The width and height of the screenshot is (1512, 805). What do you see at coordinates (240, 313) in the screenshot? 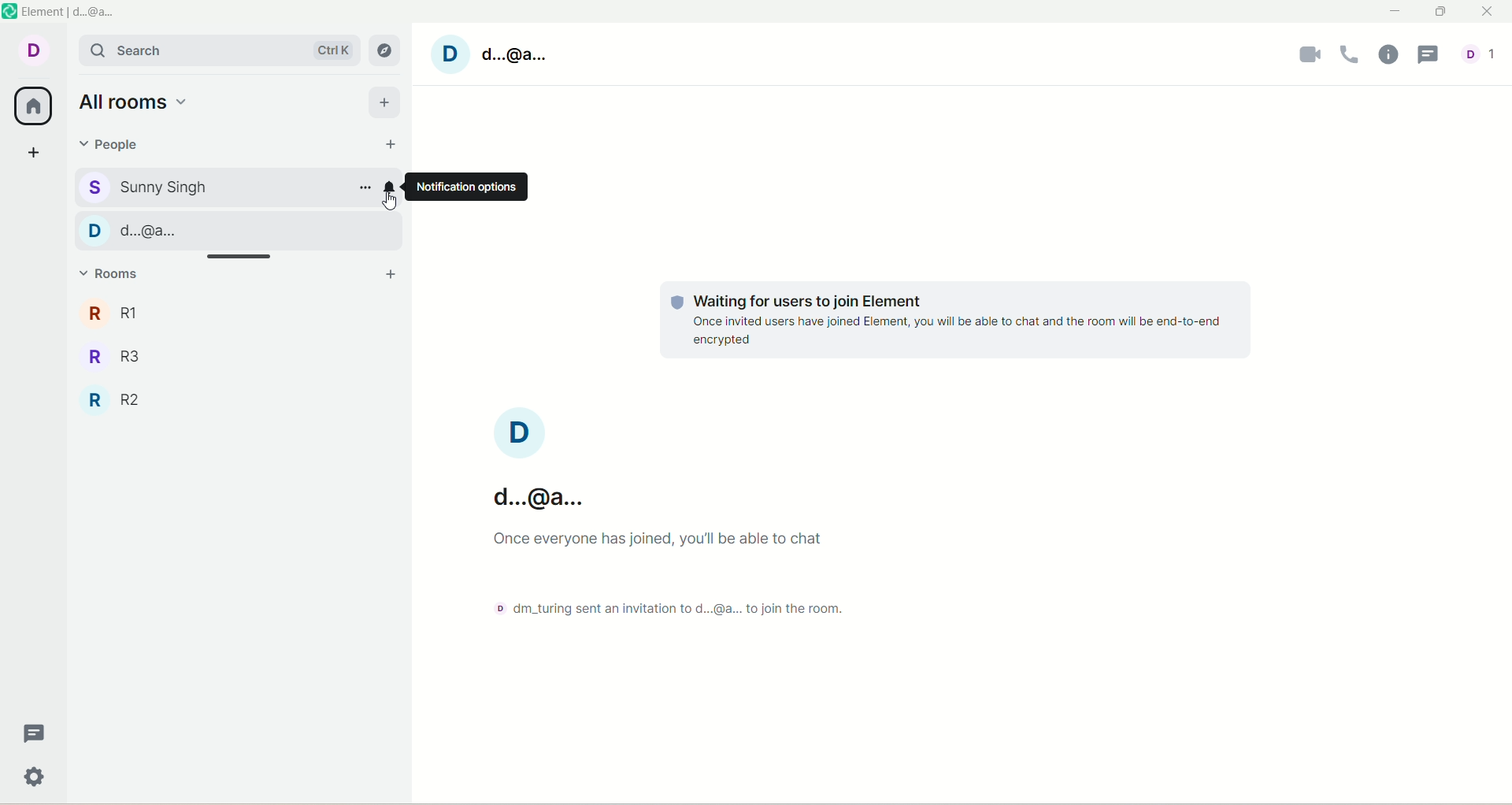
I see `R1` at bounding box center [240, 313].